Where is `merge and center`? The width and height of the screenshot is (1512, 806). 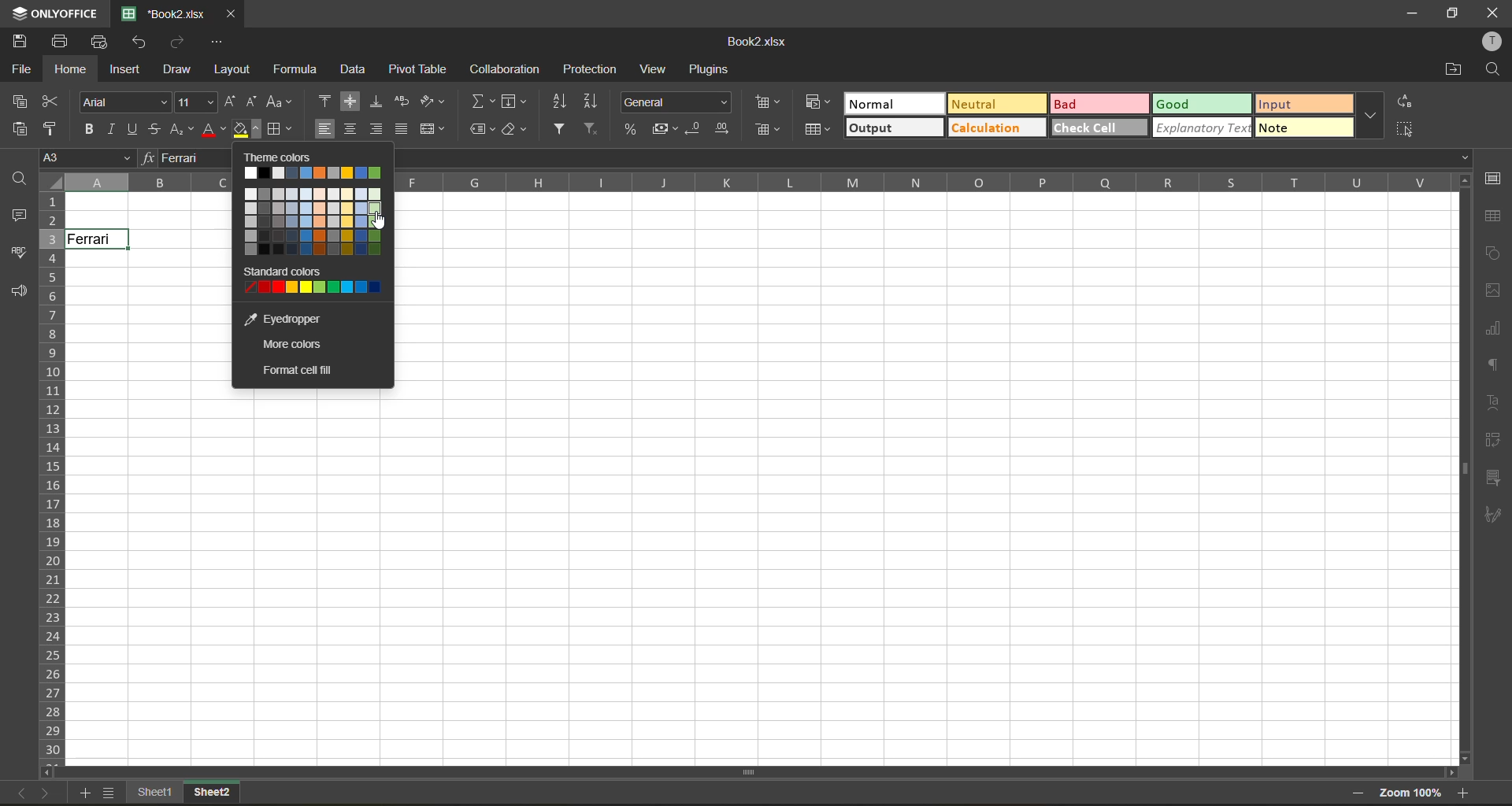 merge and center is located at coordinates (431, 131).